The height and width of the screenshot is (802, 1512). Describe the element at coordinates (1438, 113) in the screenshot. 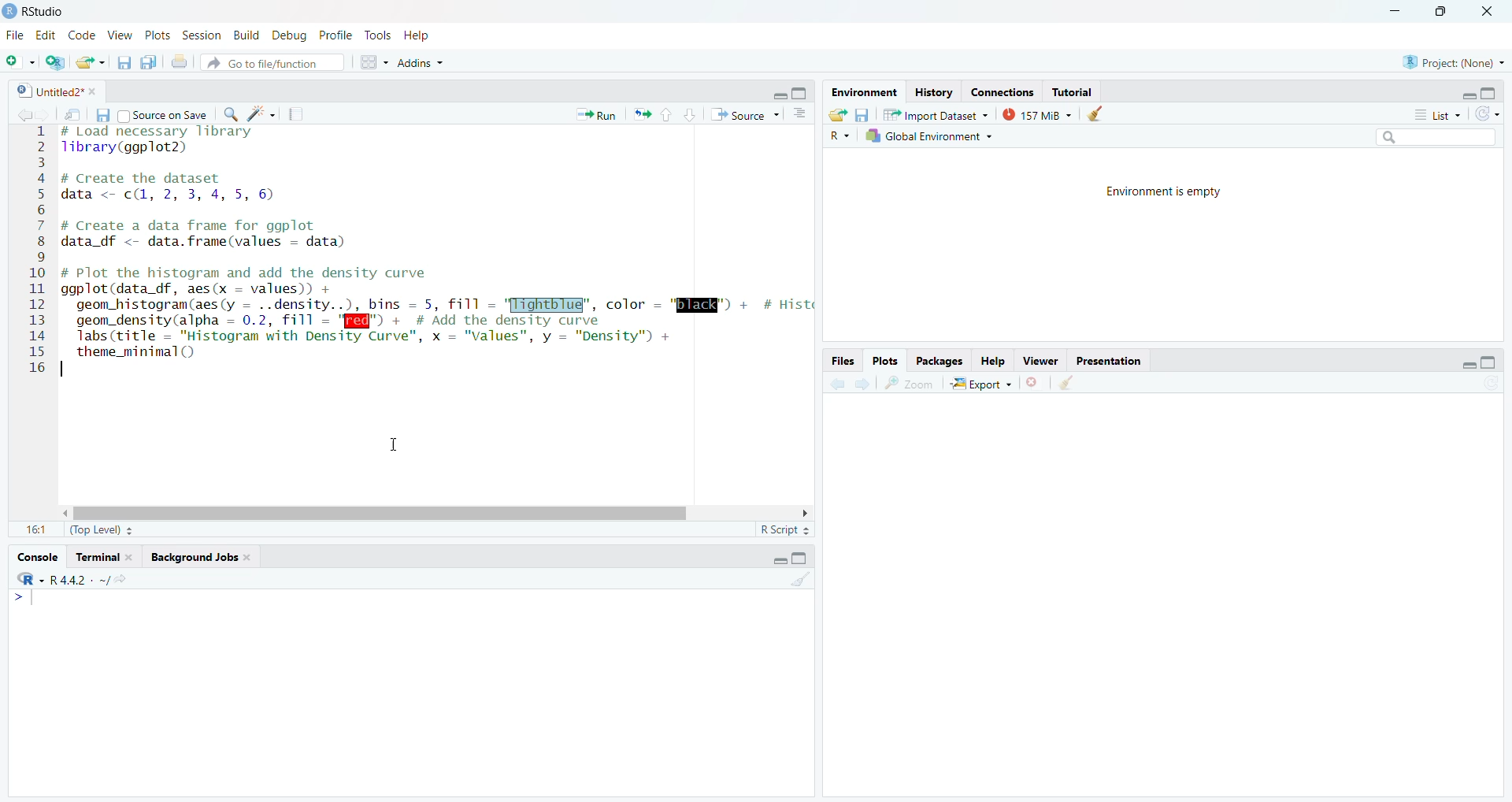

I see `list` at that location.